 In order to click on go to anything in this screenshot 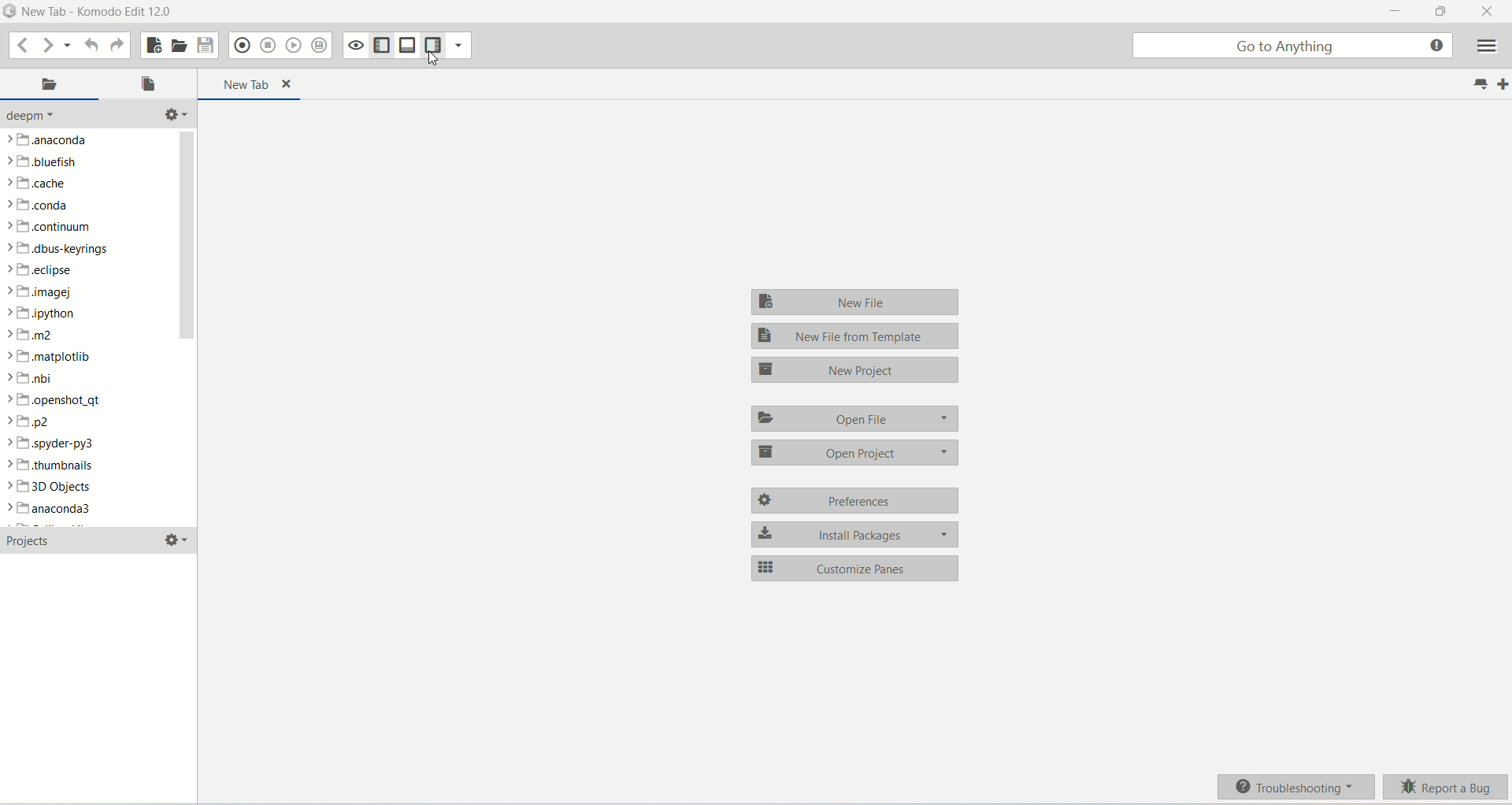, I will do `click(1293, 46)`.